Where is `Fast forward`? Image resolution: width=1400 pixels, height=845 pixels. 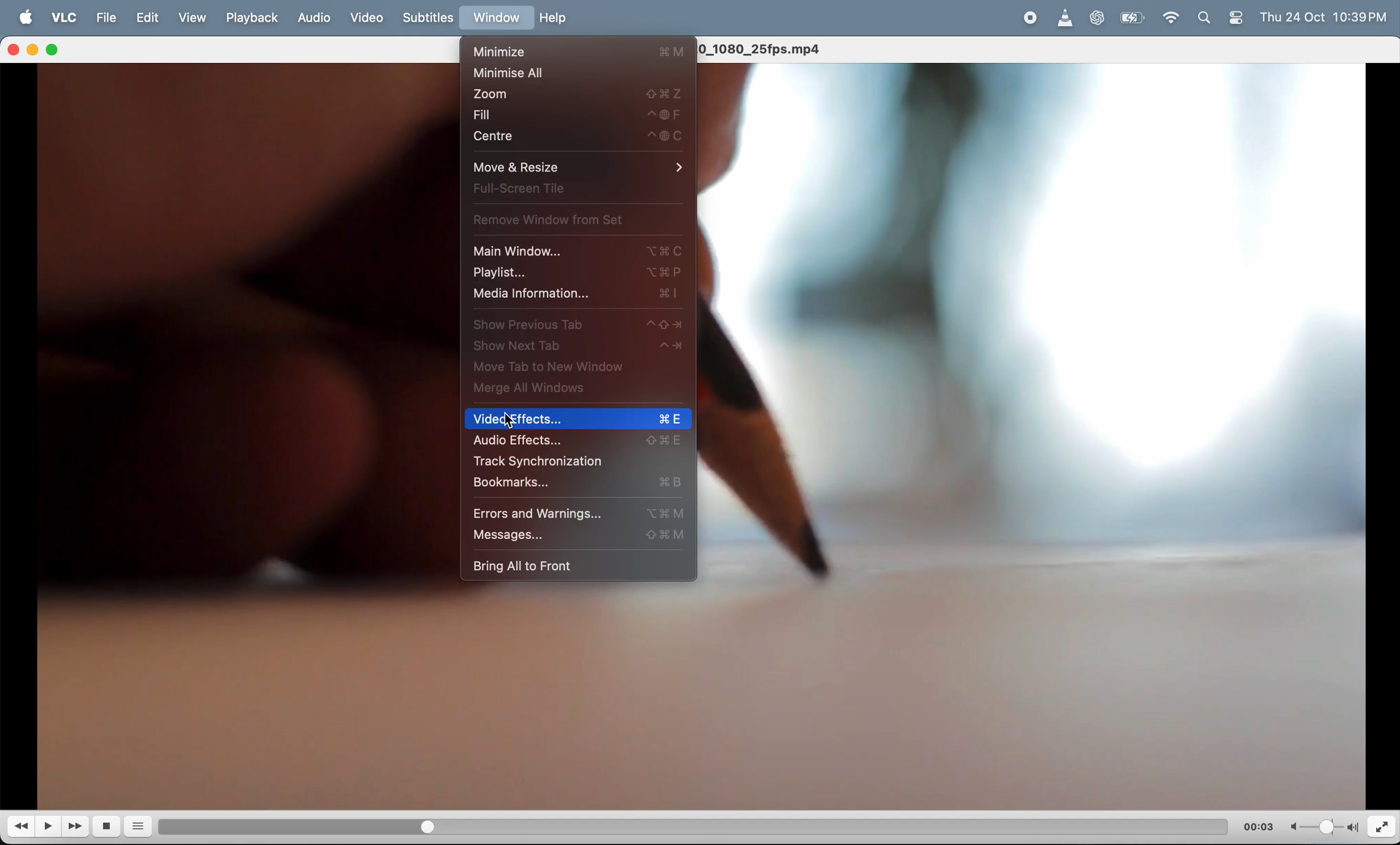
Fast forward is located at coordinates (77, 826).